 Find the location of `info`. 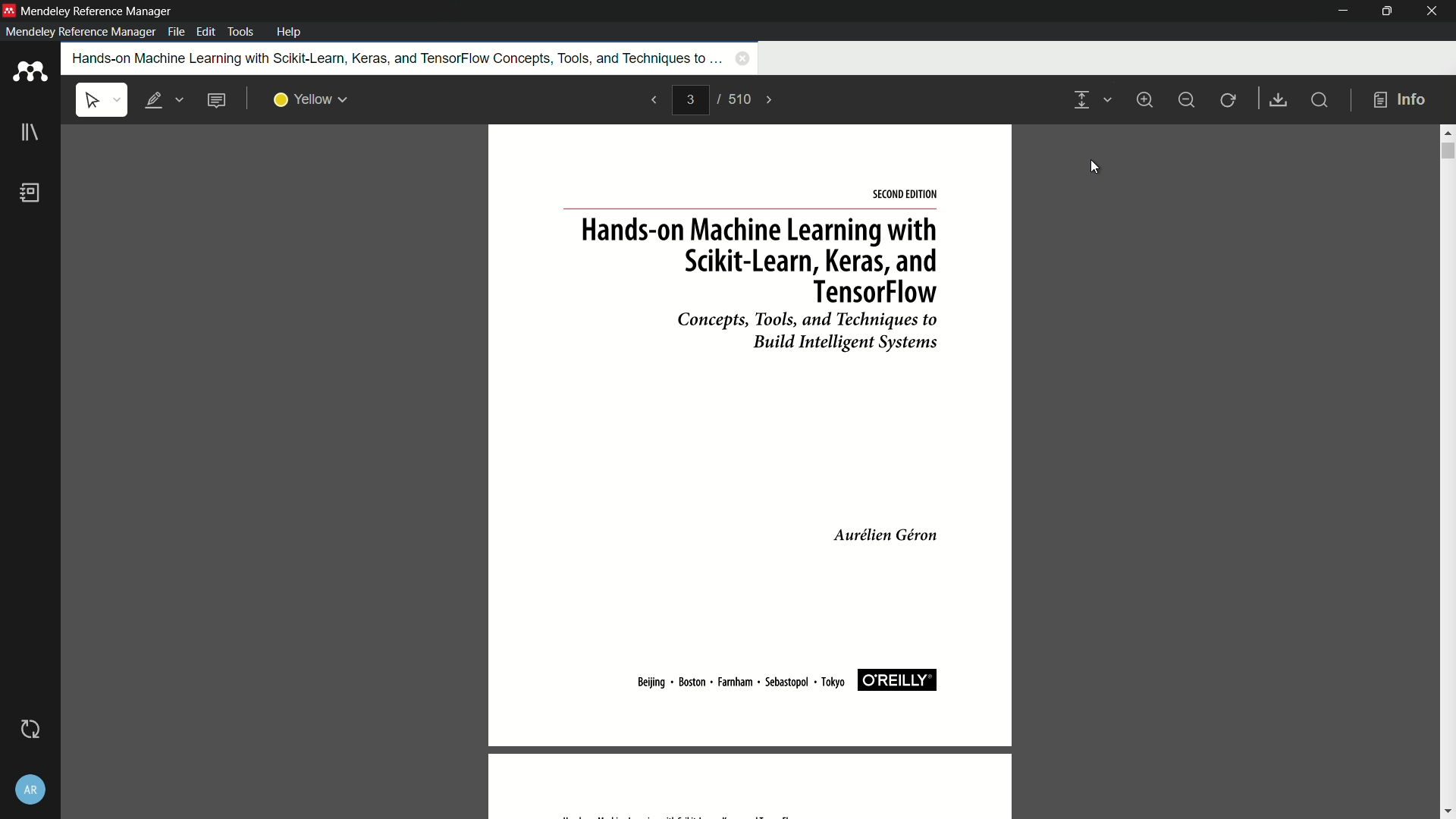

info is located at coordinates (1401, 101).